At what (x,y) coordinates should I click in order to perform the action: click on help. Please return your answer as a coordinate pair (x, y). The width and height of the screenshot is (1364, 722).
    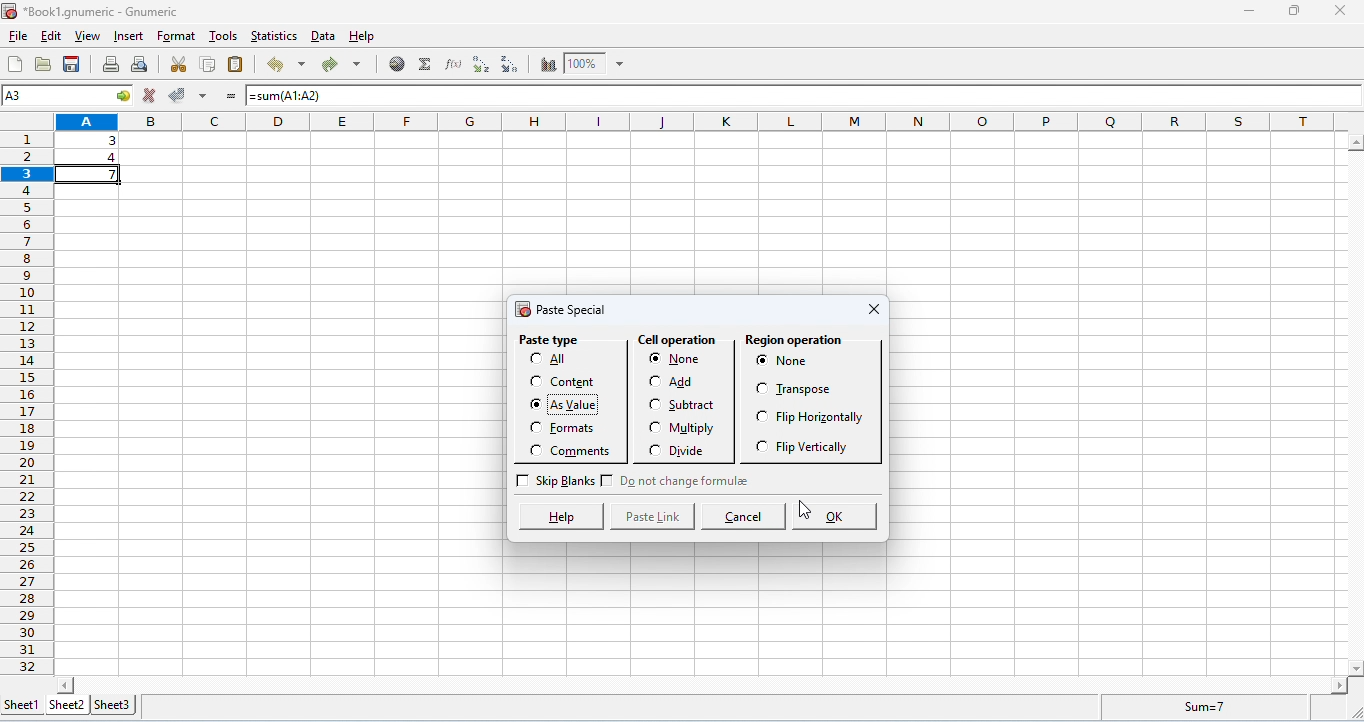
    Looking at the image, I should click on (559, 516).